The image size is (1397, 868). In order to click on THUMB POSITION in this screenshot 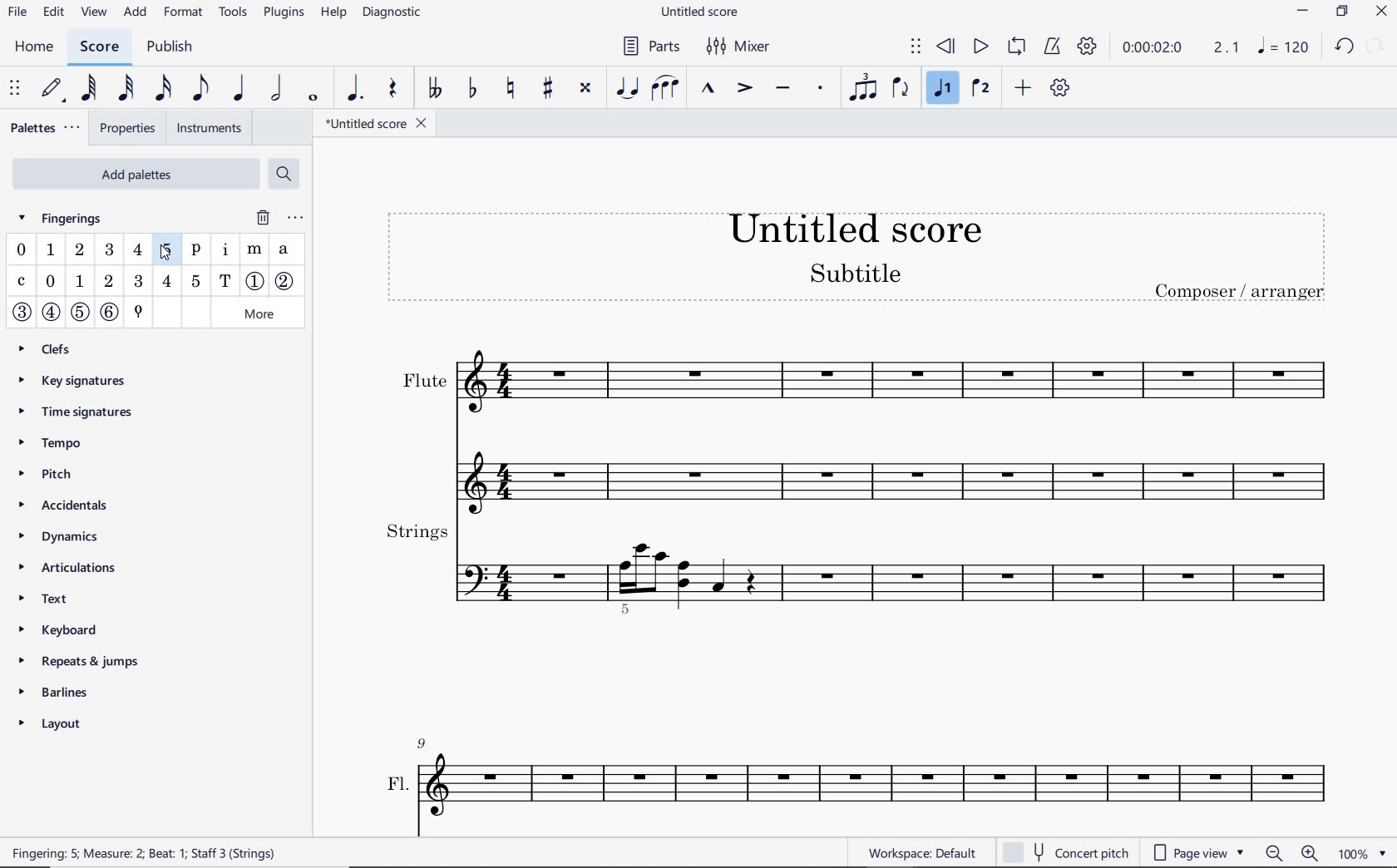, I will do `click(138, 311)`.